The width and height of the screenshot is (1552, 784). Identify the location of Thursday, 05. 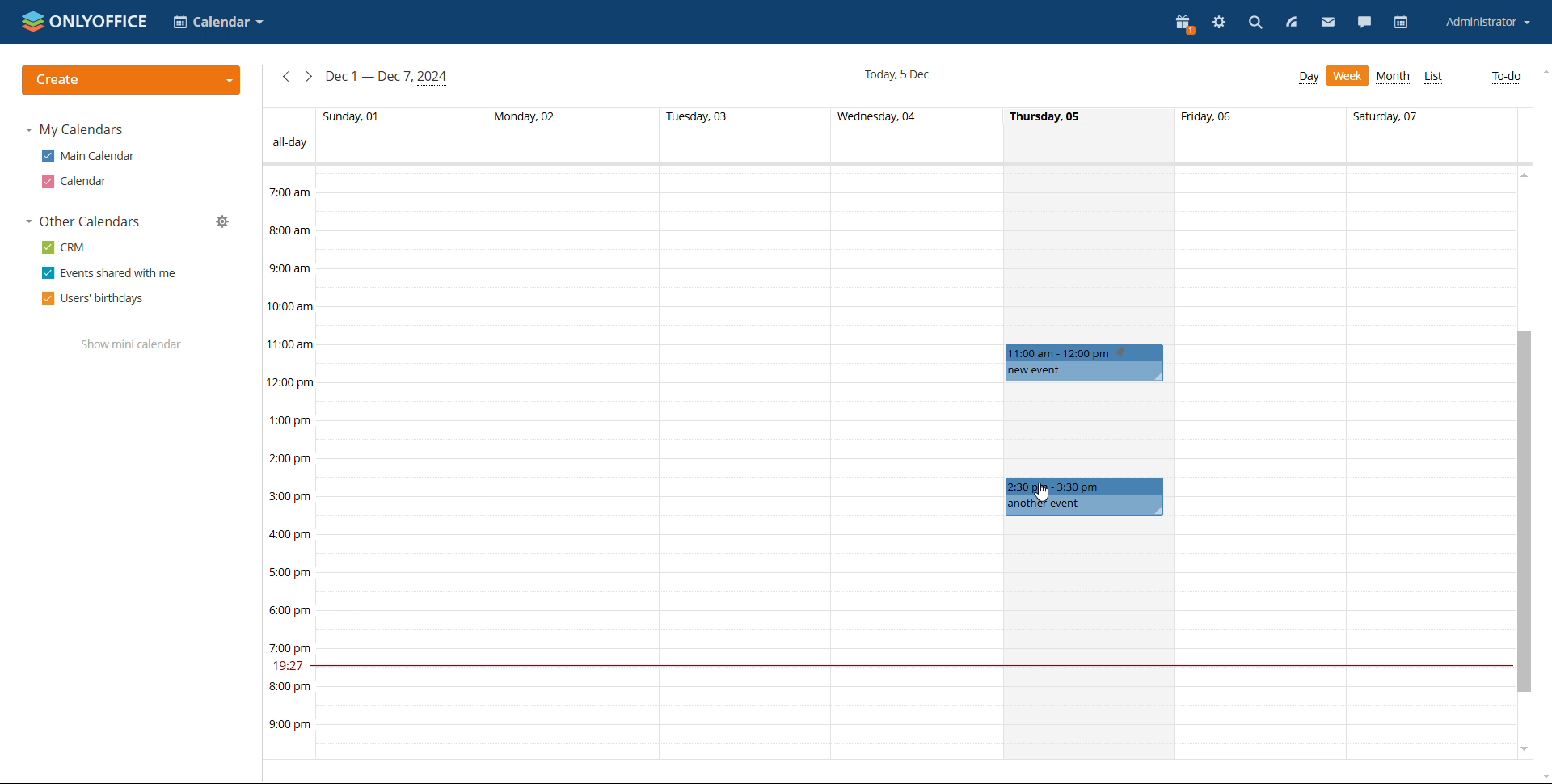
(1047, 116).